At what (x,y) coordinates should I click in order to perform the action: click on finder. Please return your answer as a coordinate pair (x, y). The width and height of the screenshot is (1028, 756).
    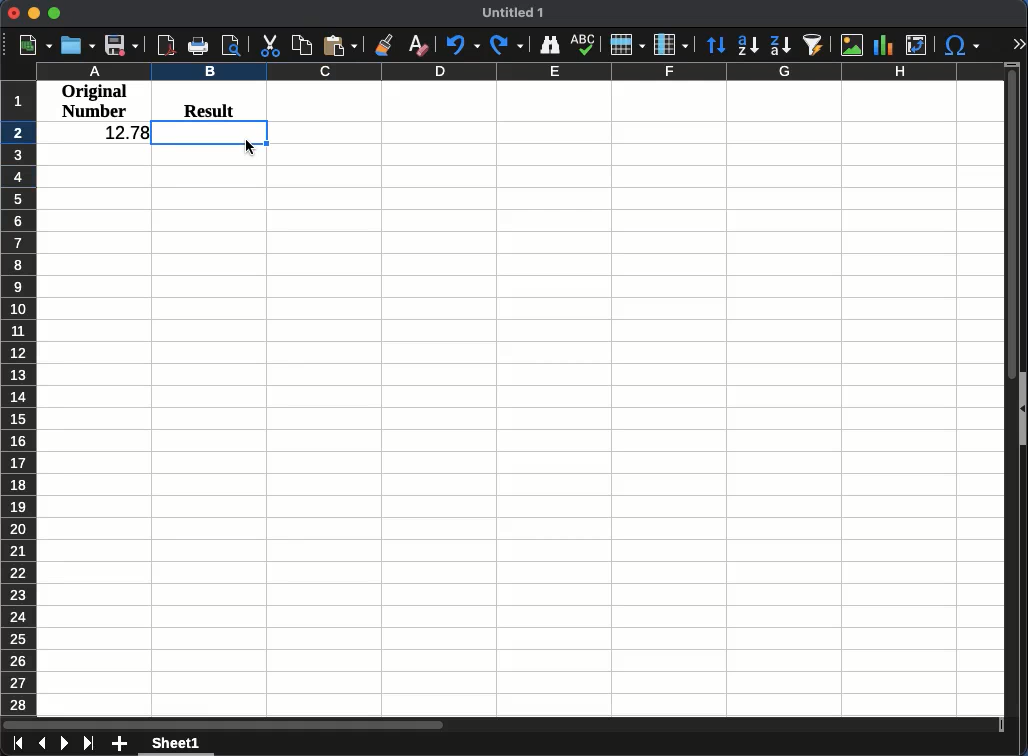
    Looking at the image, I should click on (550, 44).